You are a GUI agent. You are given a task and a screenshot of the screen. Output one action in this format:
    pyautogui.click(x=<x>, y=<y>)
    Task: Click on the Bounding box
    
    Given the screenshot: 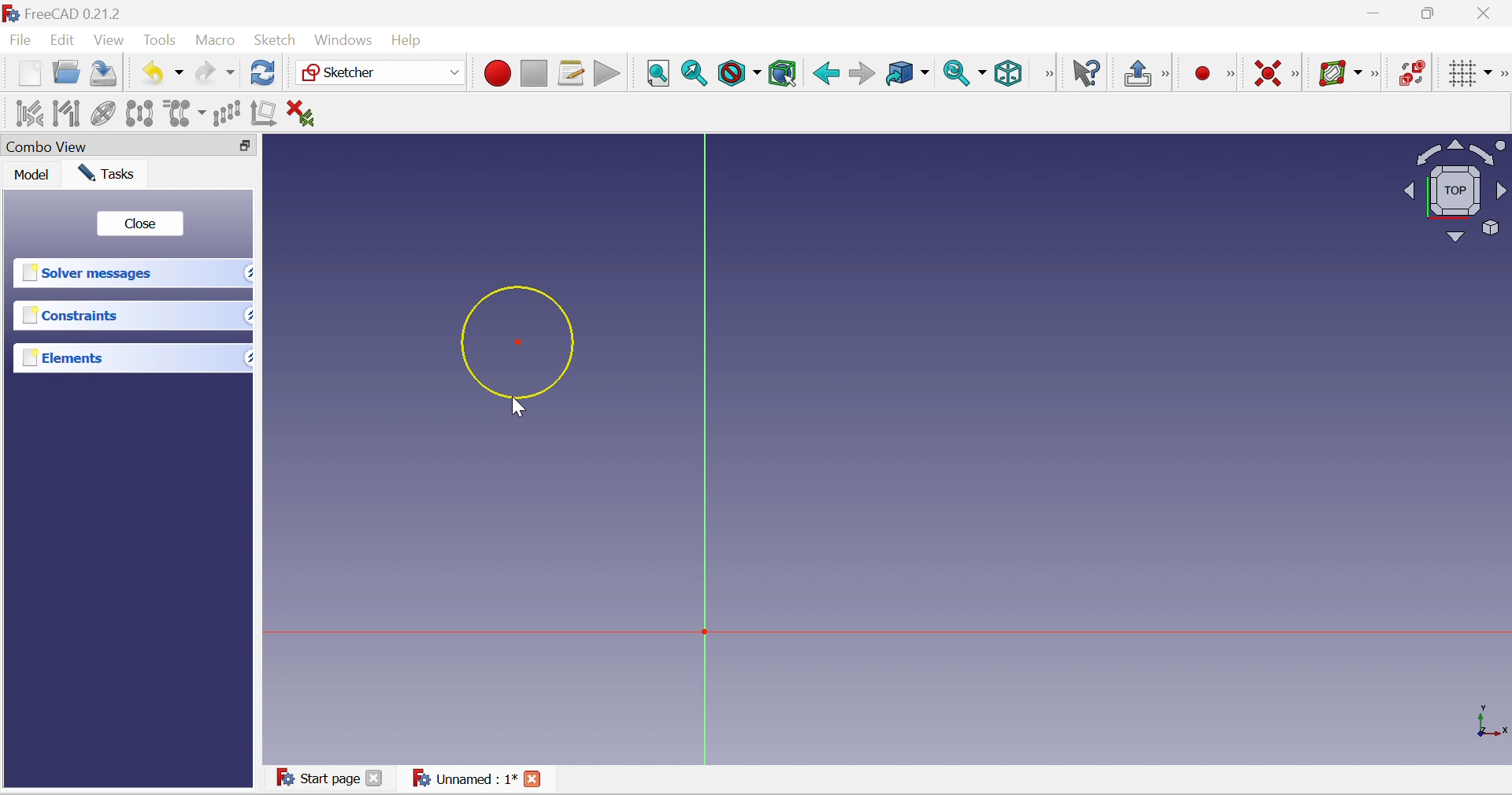 What is the action you would take?
    pyautogui.click(x=782, y=73)
    